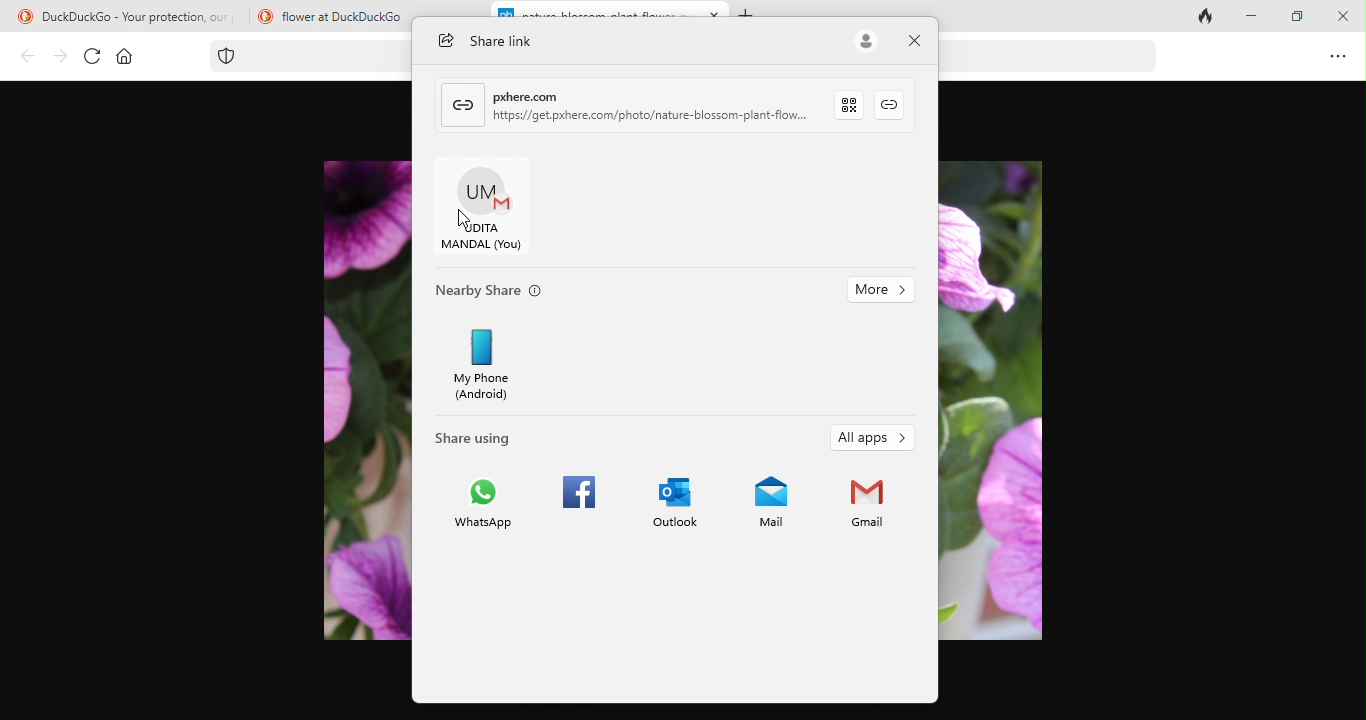  I want to click on back, so click(23, 58).